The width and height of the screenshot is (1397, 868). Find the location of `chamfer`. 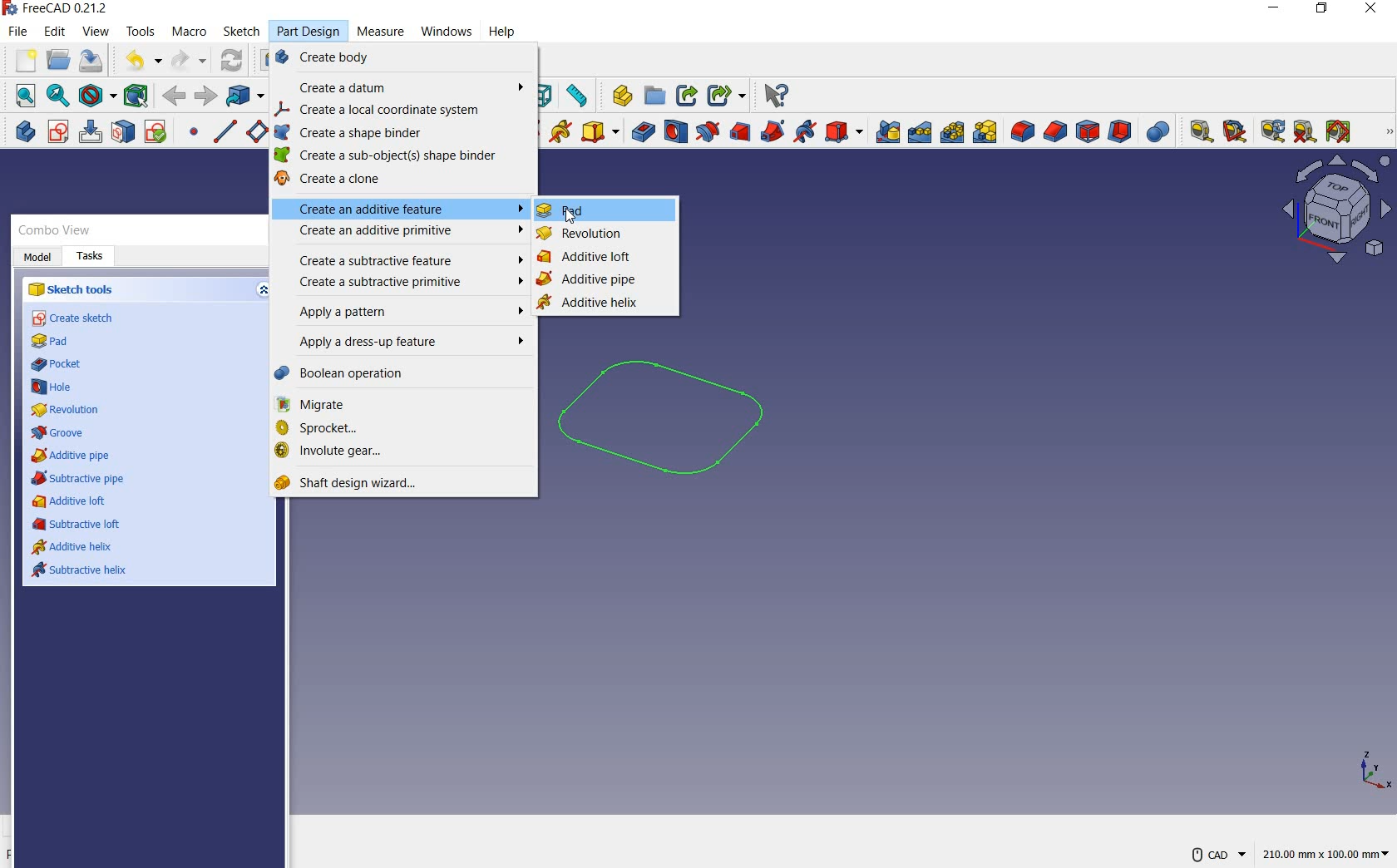

chamfer is located at coordinates (1055, 131).